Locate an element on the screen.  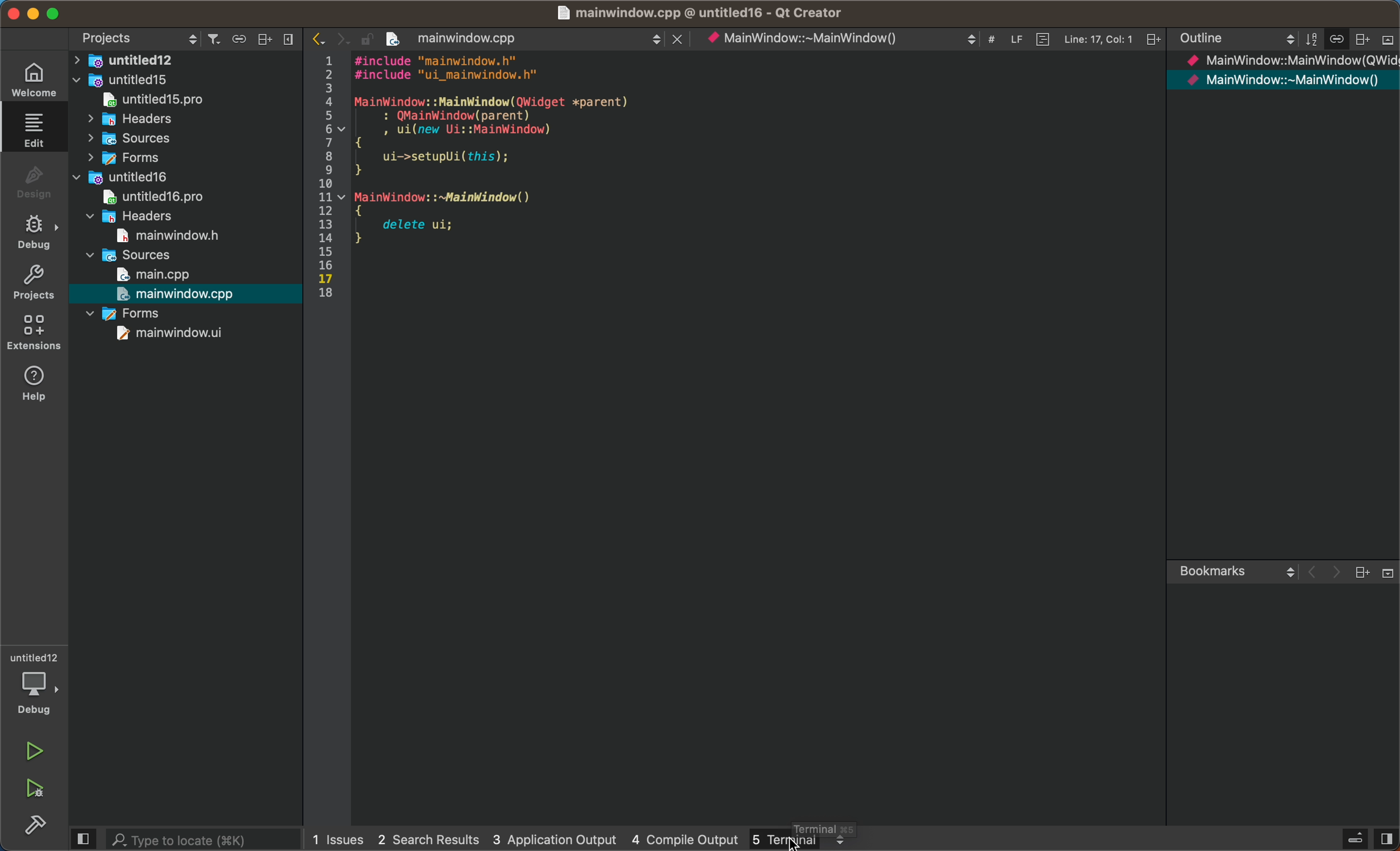
file and folder is located at coordinates (148, 217).